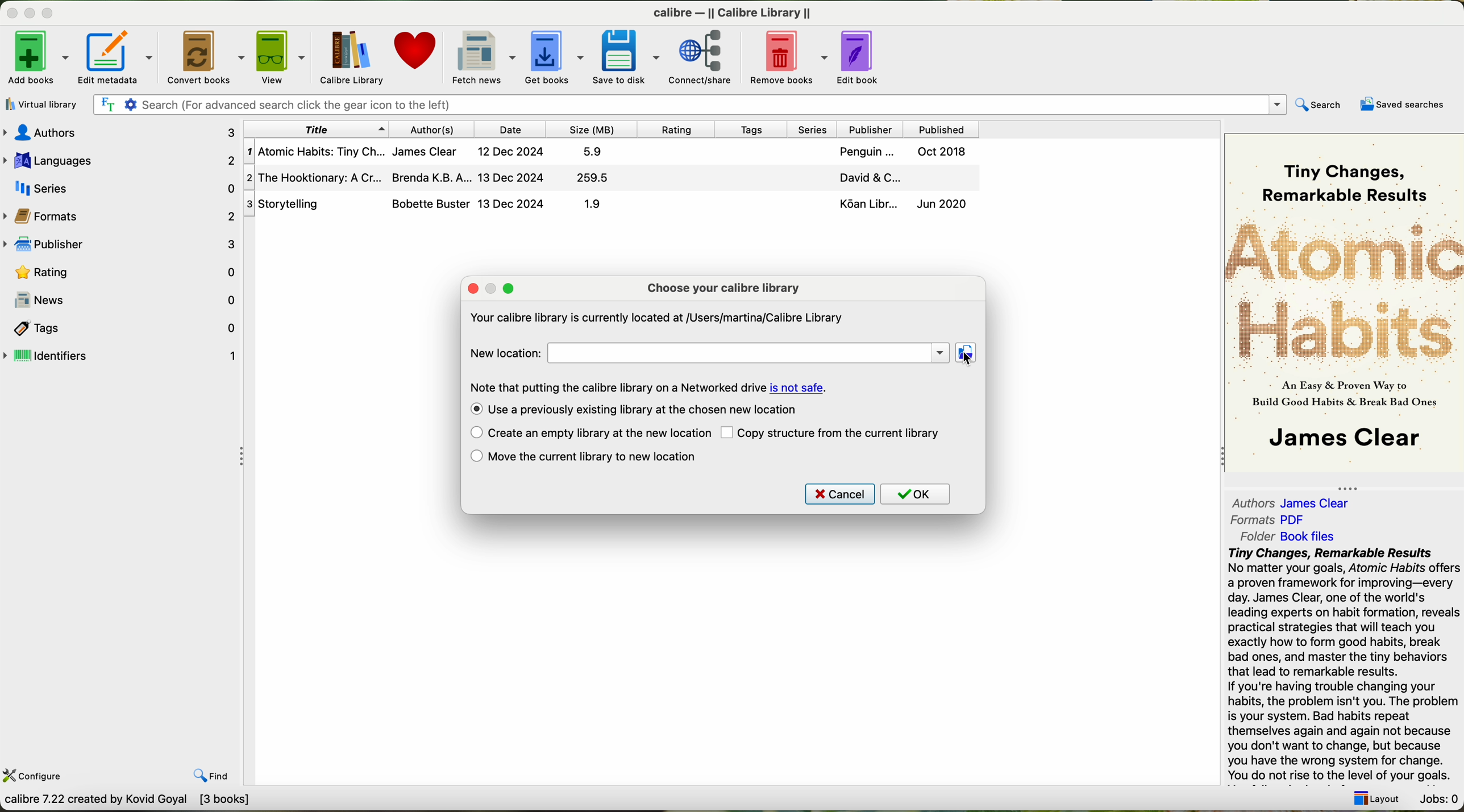 The width and height of the screenshot is (1464, 812). What do you see at coordinates (814, 128) in the screenshot?
I see `series` at bounding box center [814, 128].